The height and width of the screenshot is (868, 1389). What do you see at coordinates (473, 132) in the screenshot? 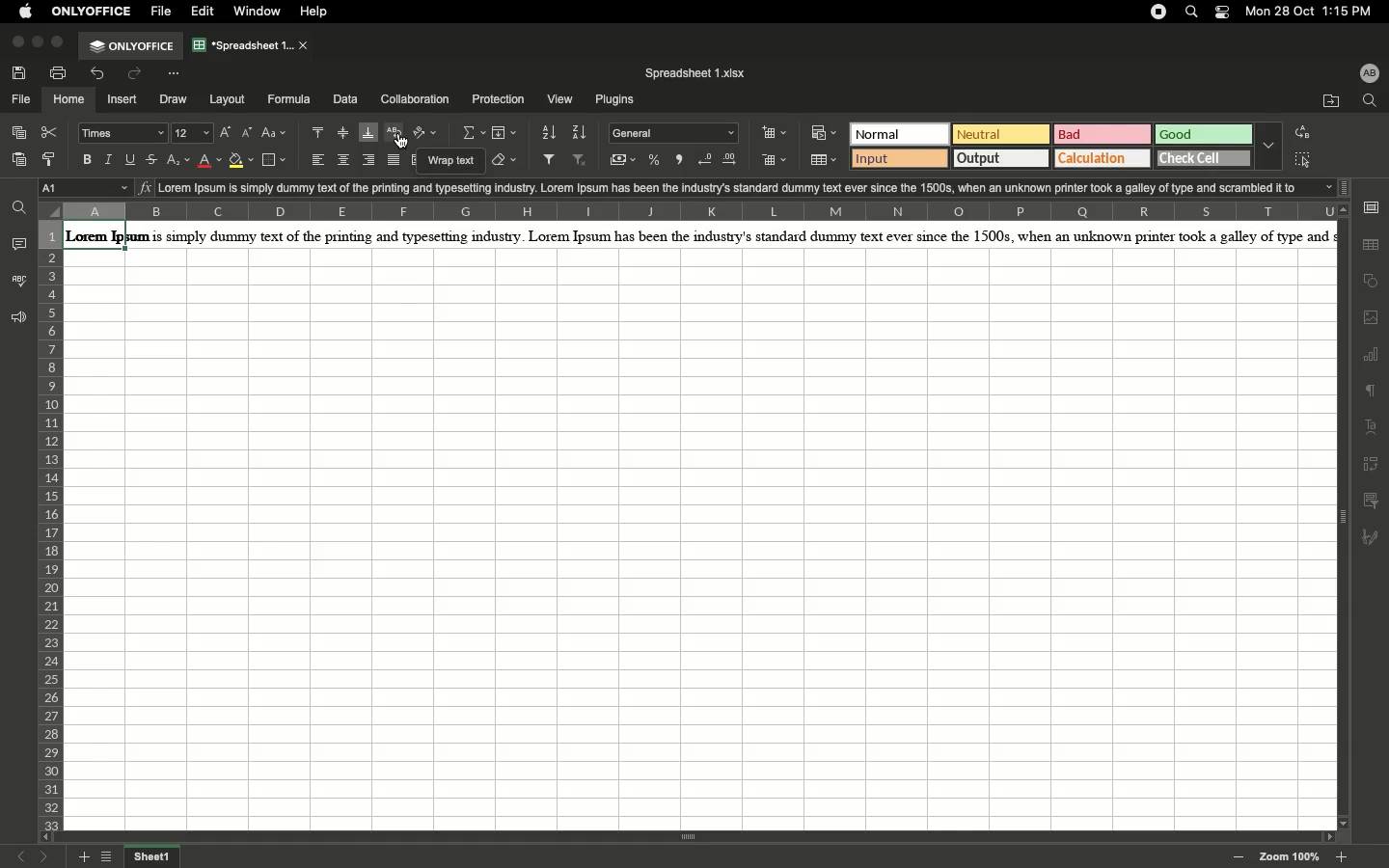
I see `Summation` at bounding box center [473, 132].